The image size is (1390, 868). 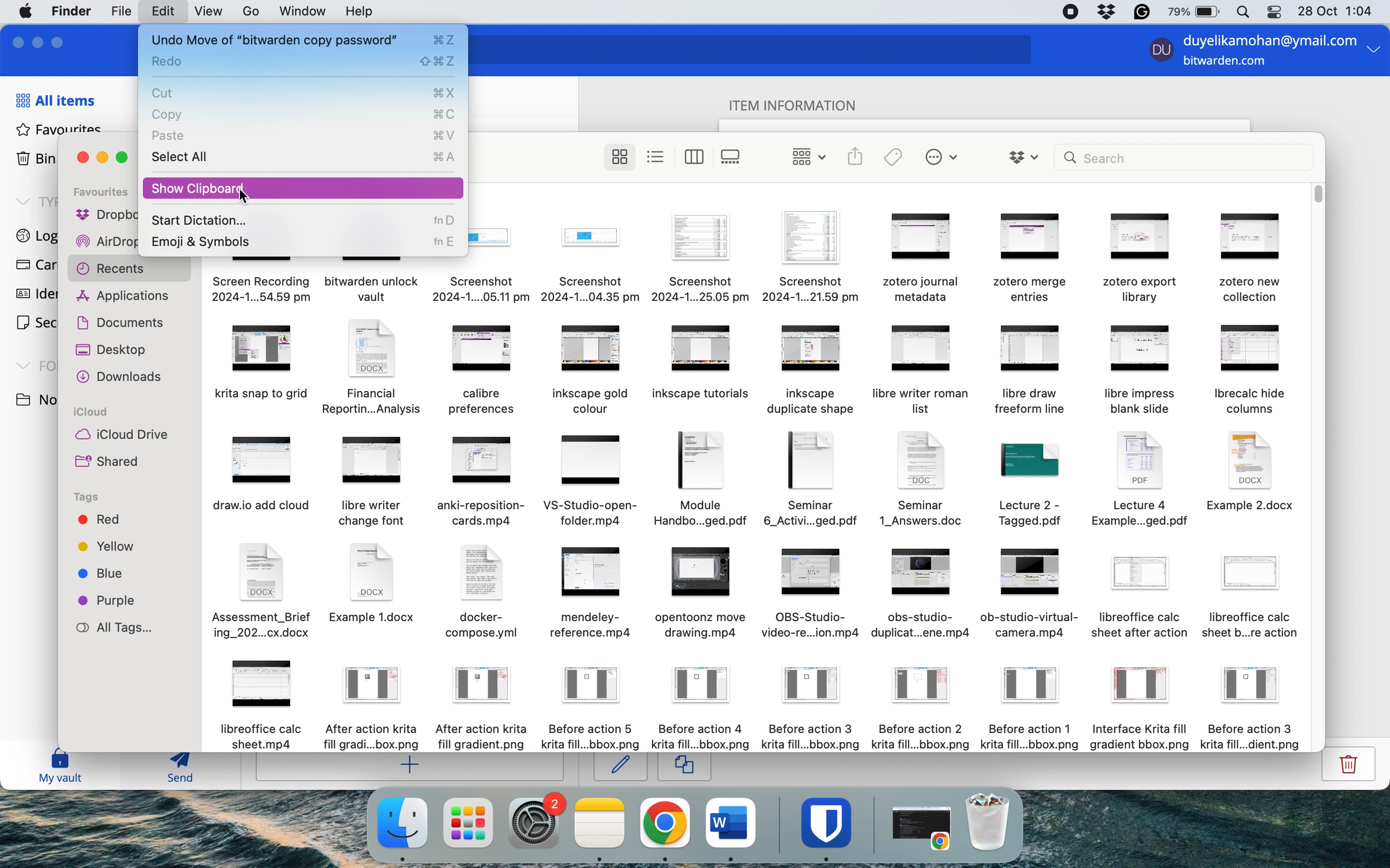 I want to click on system files, so click(x=890, y=230).